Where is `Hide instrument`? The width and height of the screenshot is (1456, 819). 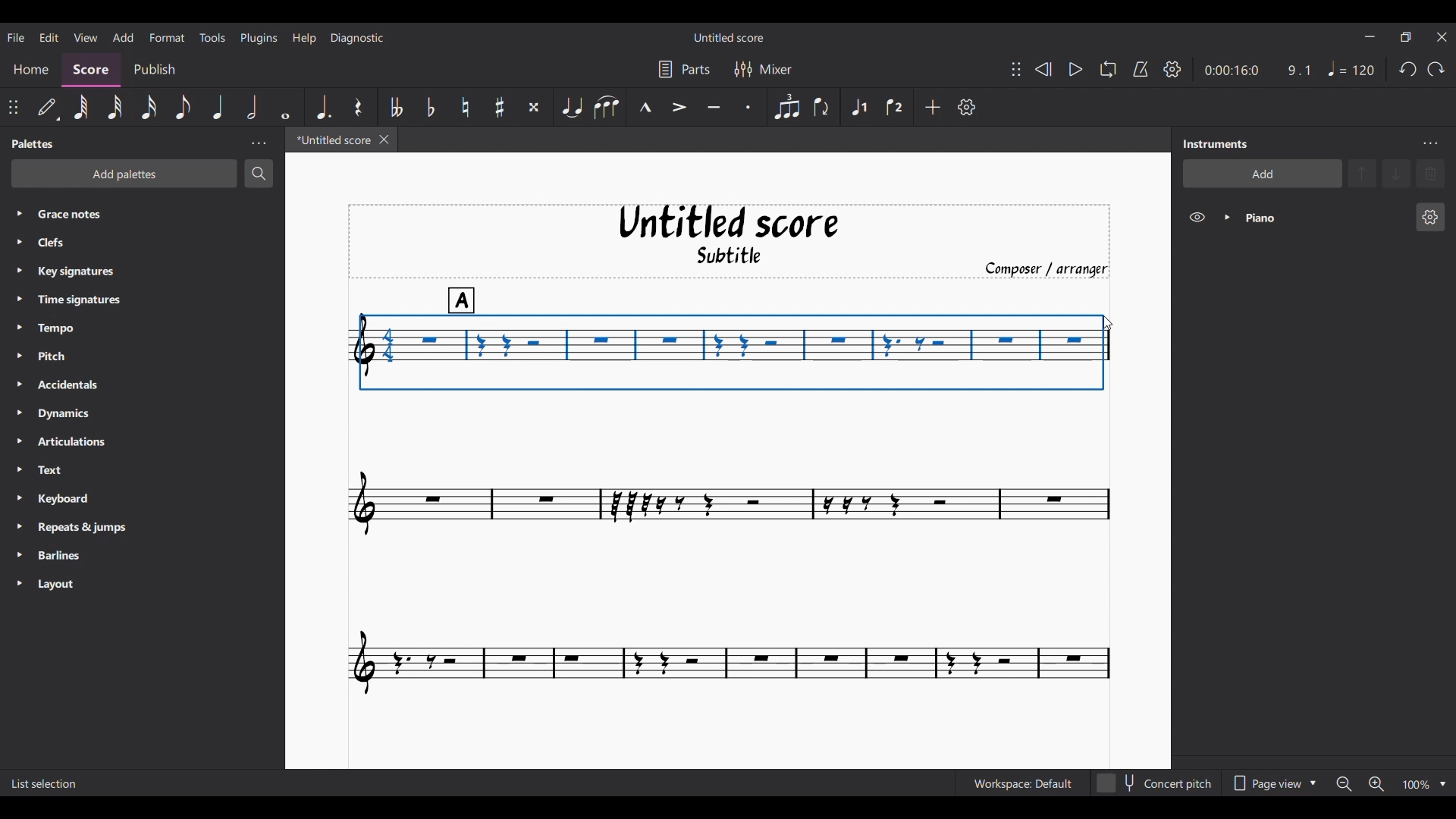
Hide instrument is located at coordinates (1197, 217).